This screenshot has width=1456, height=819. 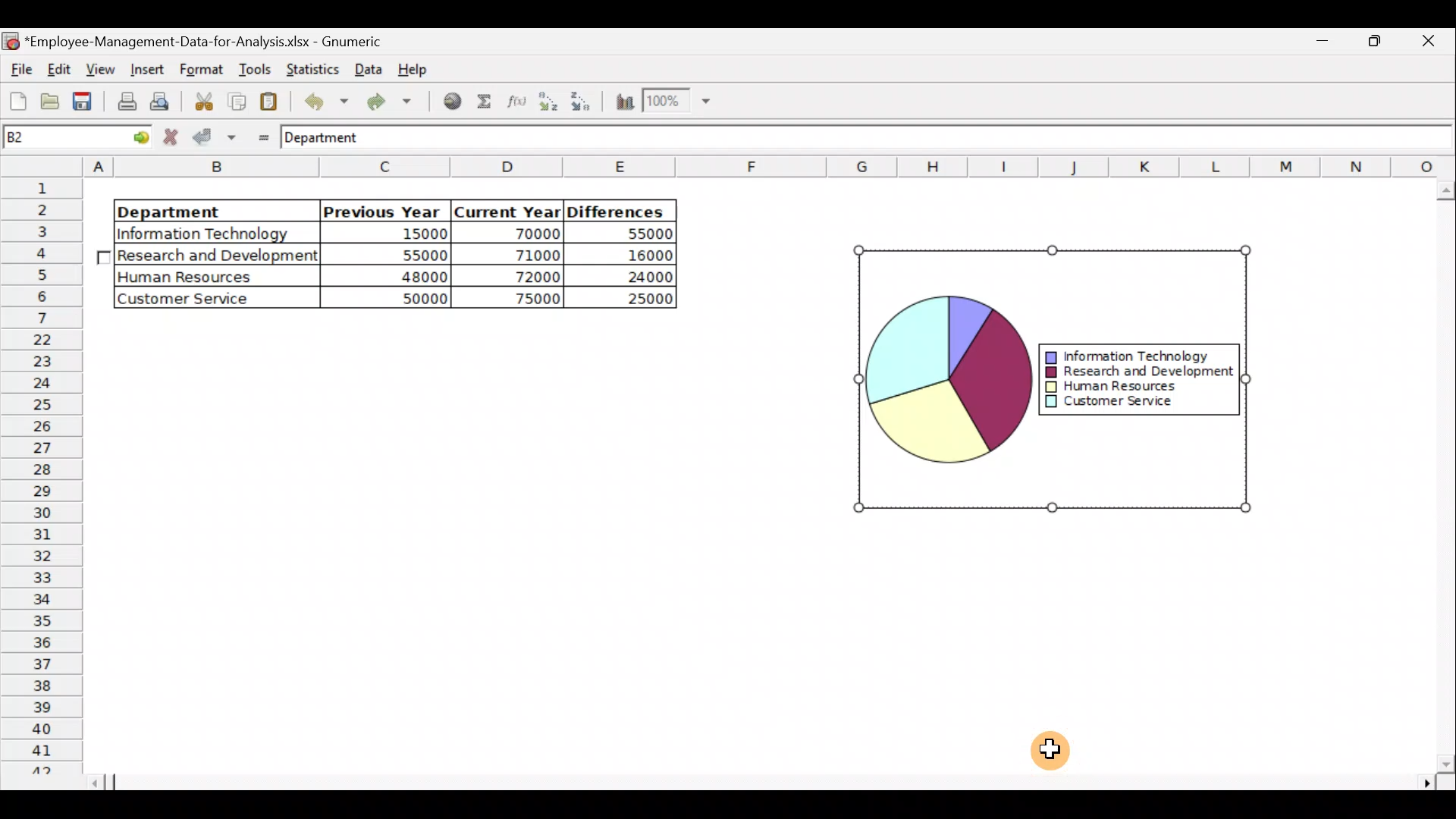 I want to click on 72000, so click(x=524, y=276).